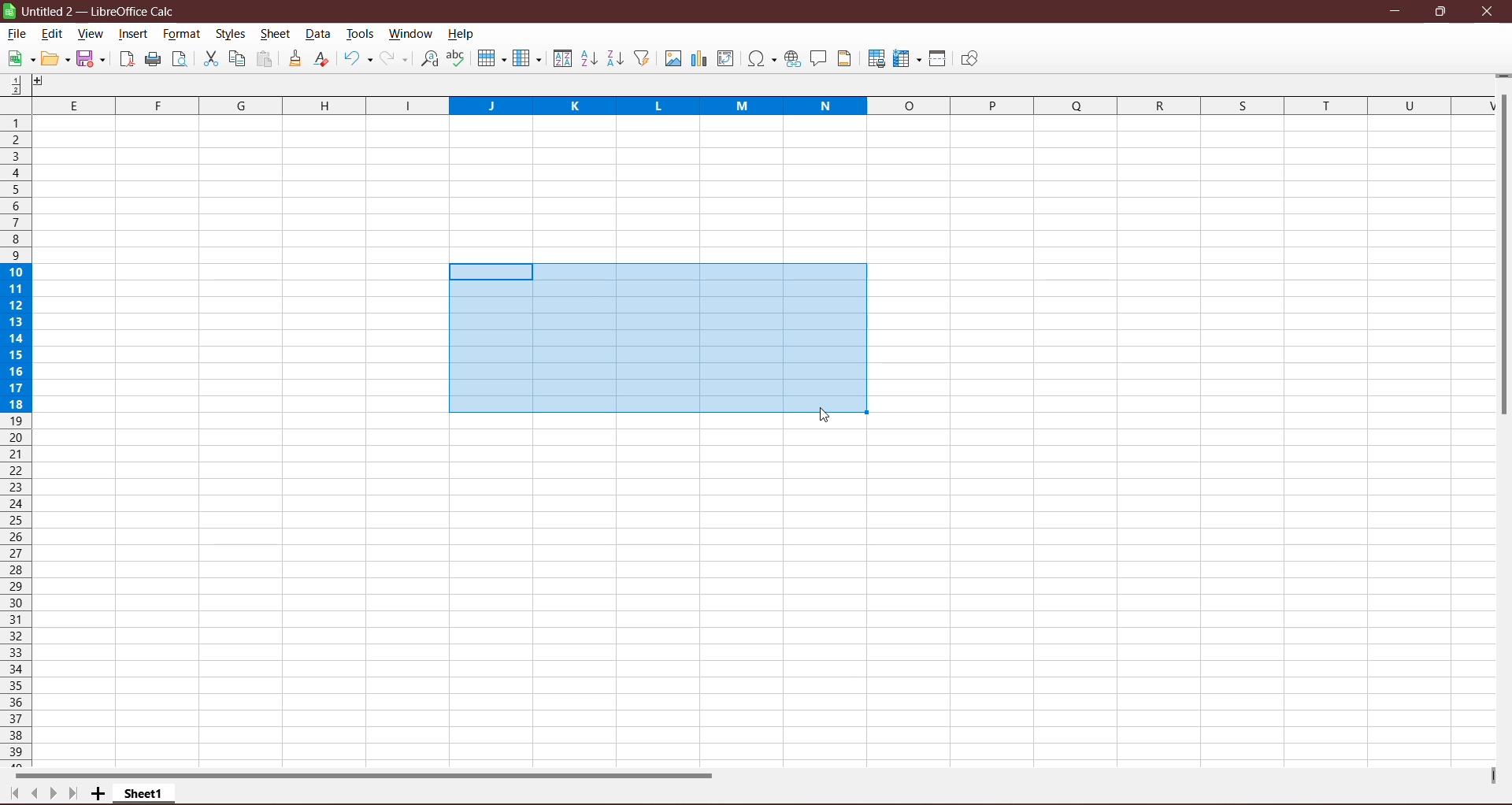 The image size is (1512, 805). I want to click on Scroll to previous page, so click(32, 793).